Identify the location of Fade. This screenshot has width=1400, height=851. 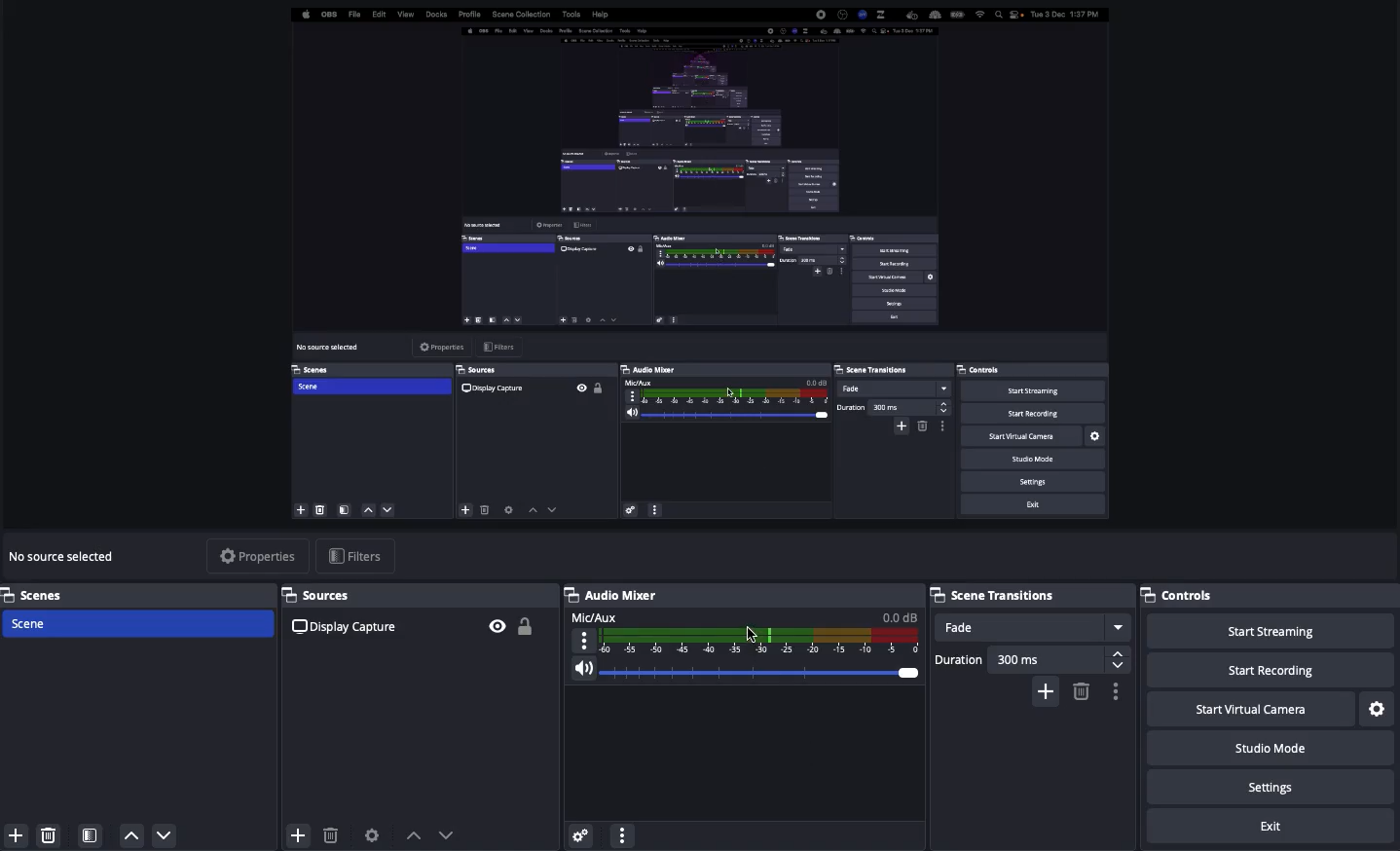
(1035, 627).